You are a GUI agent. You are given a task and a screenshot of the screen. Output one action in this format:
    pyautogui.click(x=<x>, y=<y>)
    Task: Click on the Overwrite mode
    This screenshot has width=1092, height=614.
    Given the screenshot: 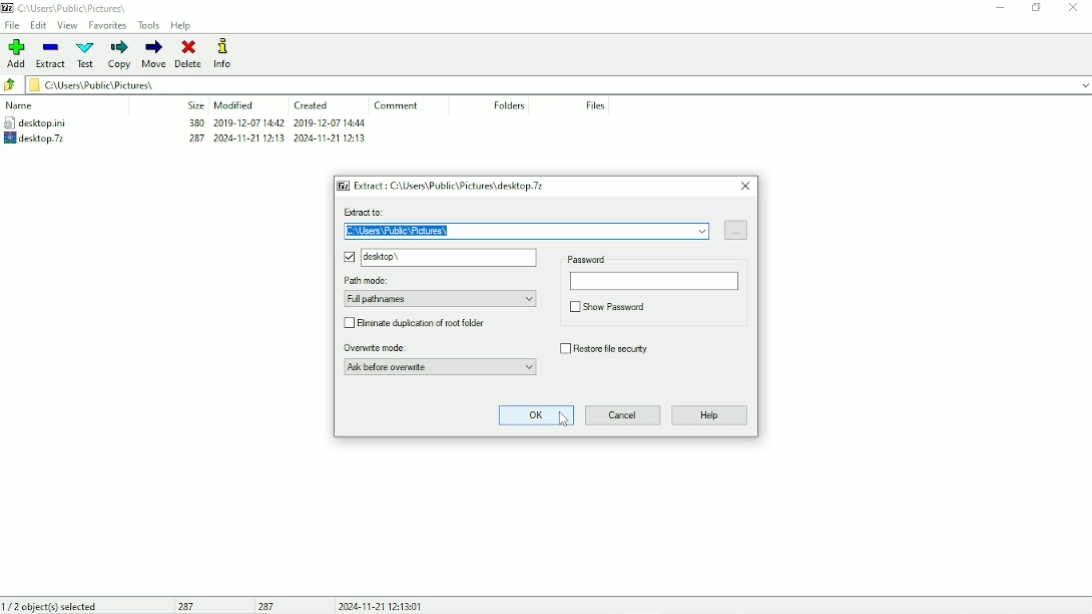 What is the action you would take?
    pyautogui.click(x=434, y=348)
    